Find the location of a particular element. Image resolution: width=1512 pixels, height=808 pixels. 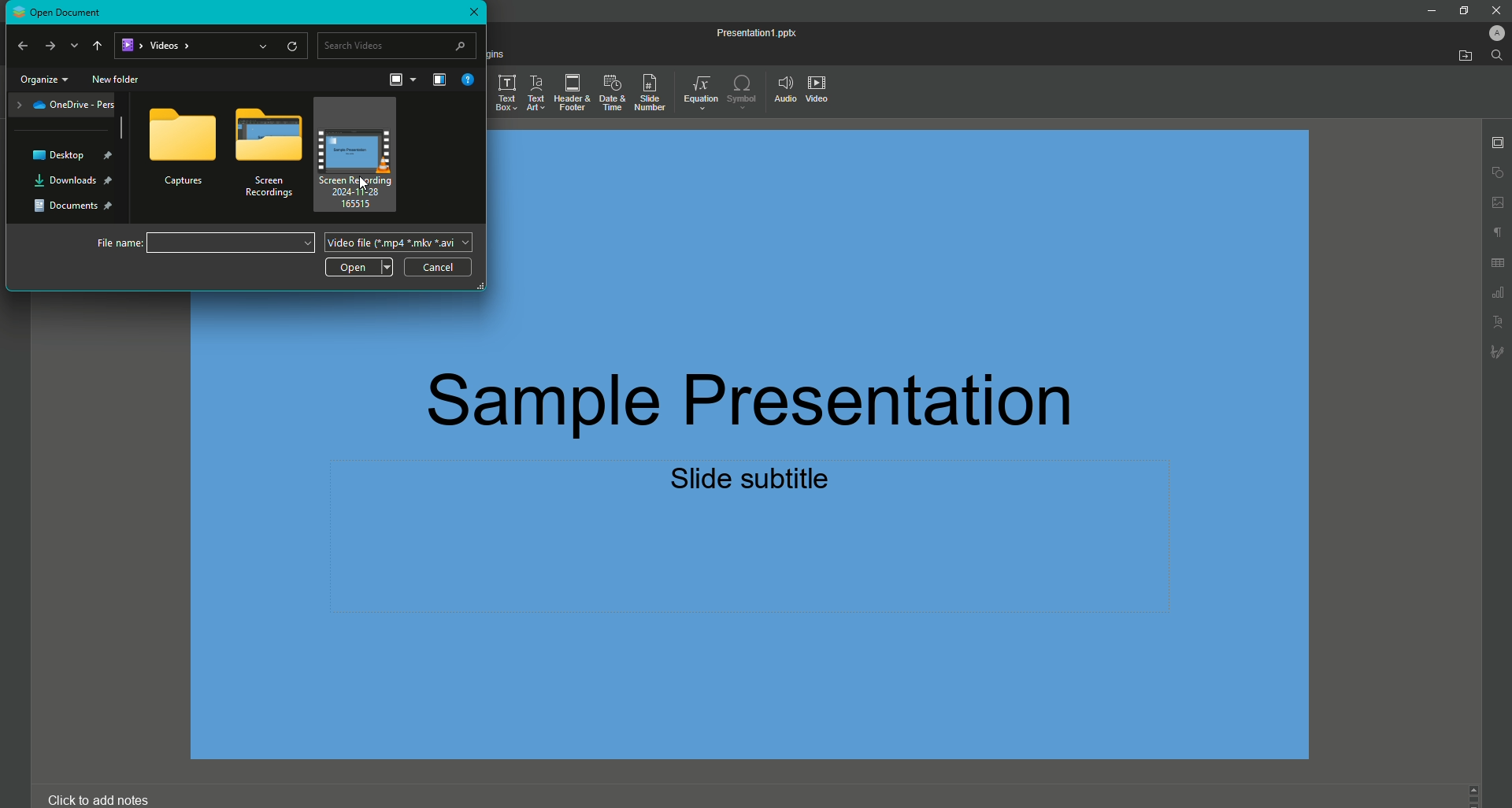

Forward is located at coordinates (47, 43).